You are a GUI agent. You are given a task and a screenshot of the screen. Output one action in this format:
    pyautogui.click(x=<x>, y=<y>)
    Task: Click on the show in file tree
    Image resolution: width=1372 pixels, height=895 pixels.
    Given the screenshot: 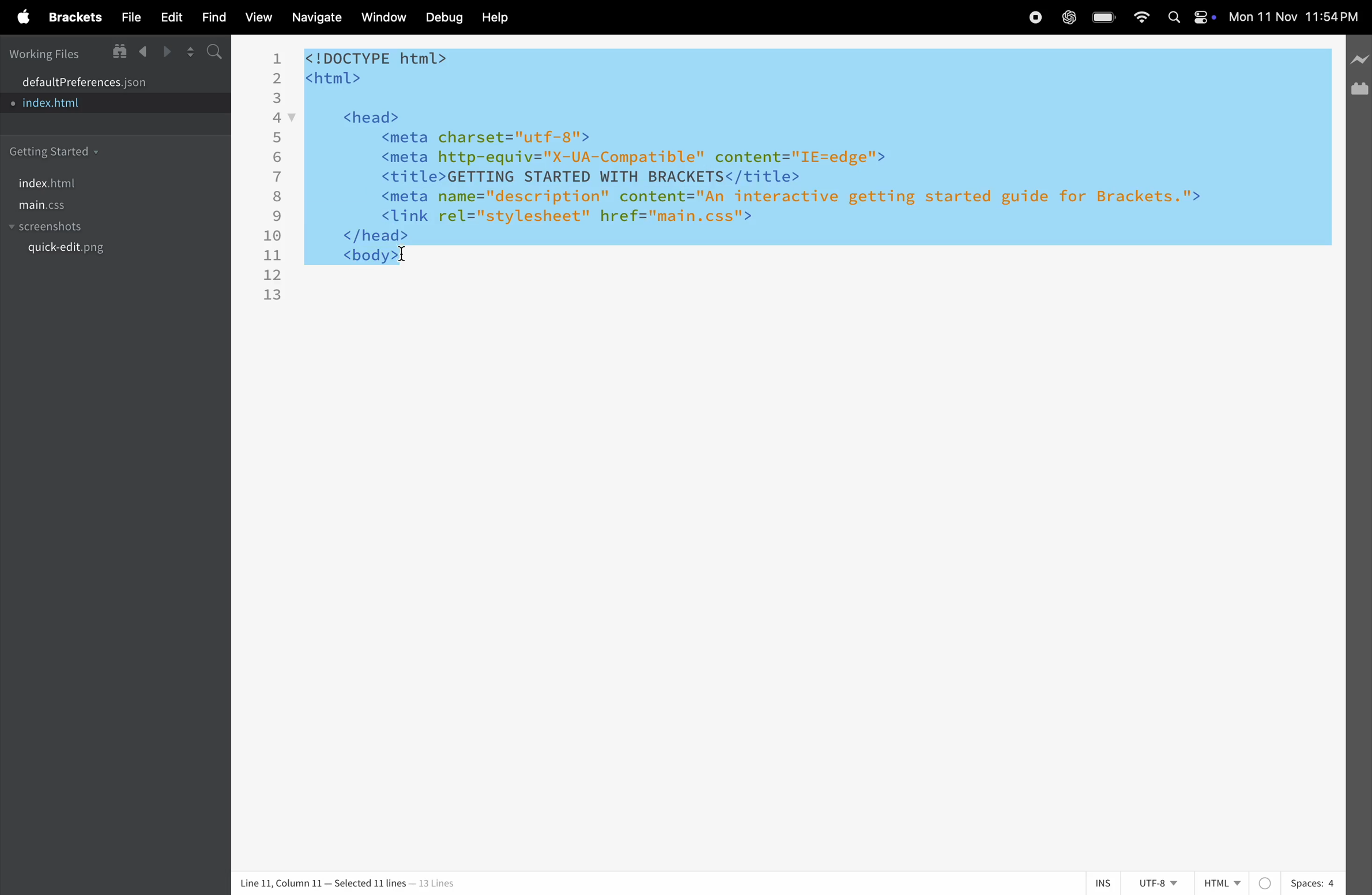 What is the action you would take?
    pyautogui.click(x=116, y=51)
    